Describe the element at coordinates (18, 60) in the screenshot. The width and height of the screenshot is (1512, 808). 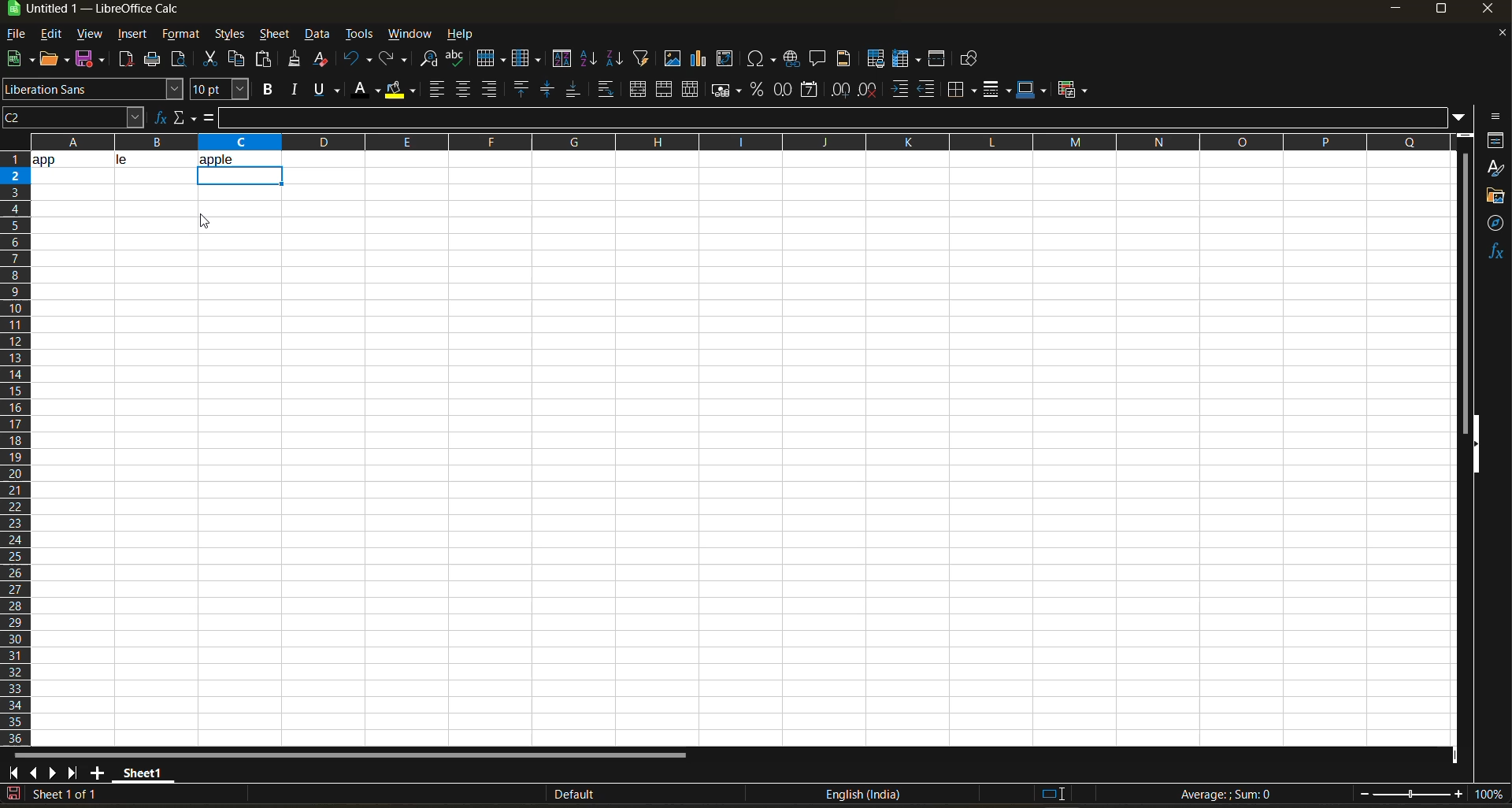
I see `new` at that location.